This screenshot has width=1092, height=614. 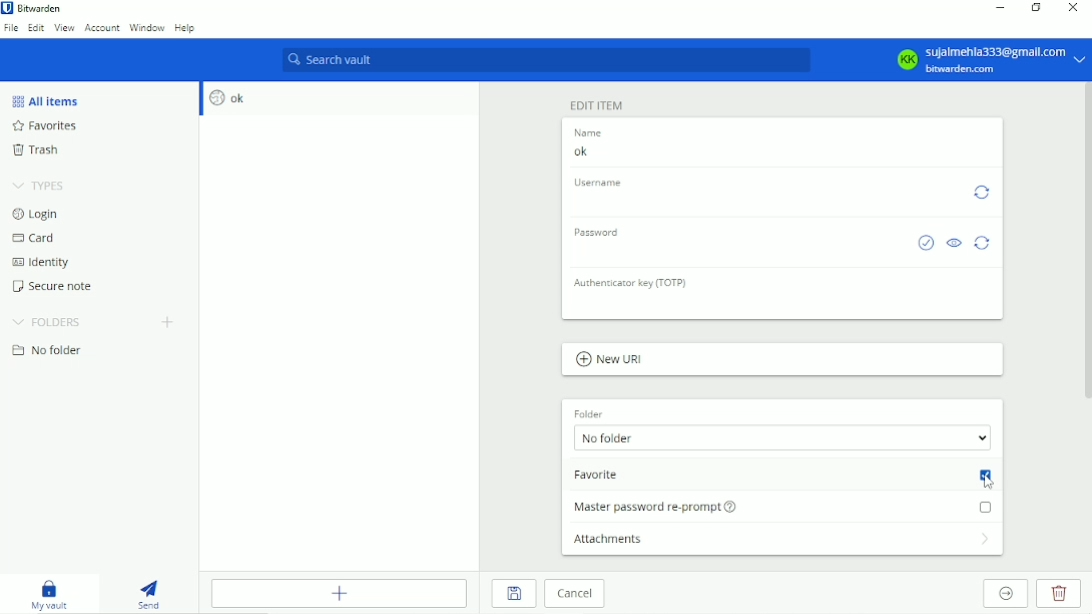 What do you see at coordinates (1004, 593) in the screenshot?
I see `Move to organization` at bounding box center [1004, 593].